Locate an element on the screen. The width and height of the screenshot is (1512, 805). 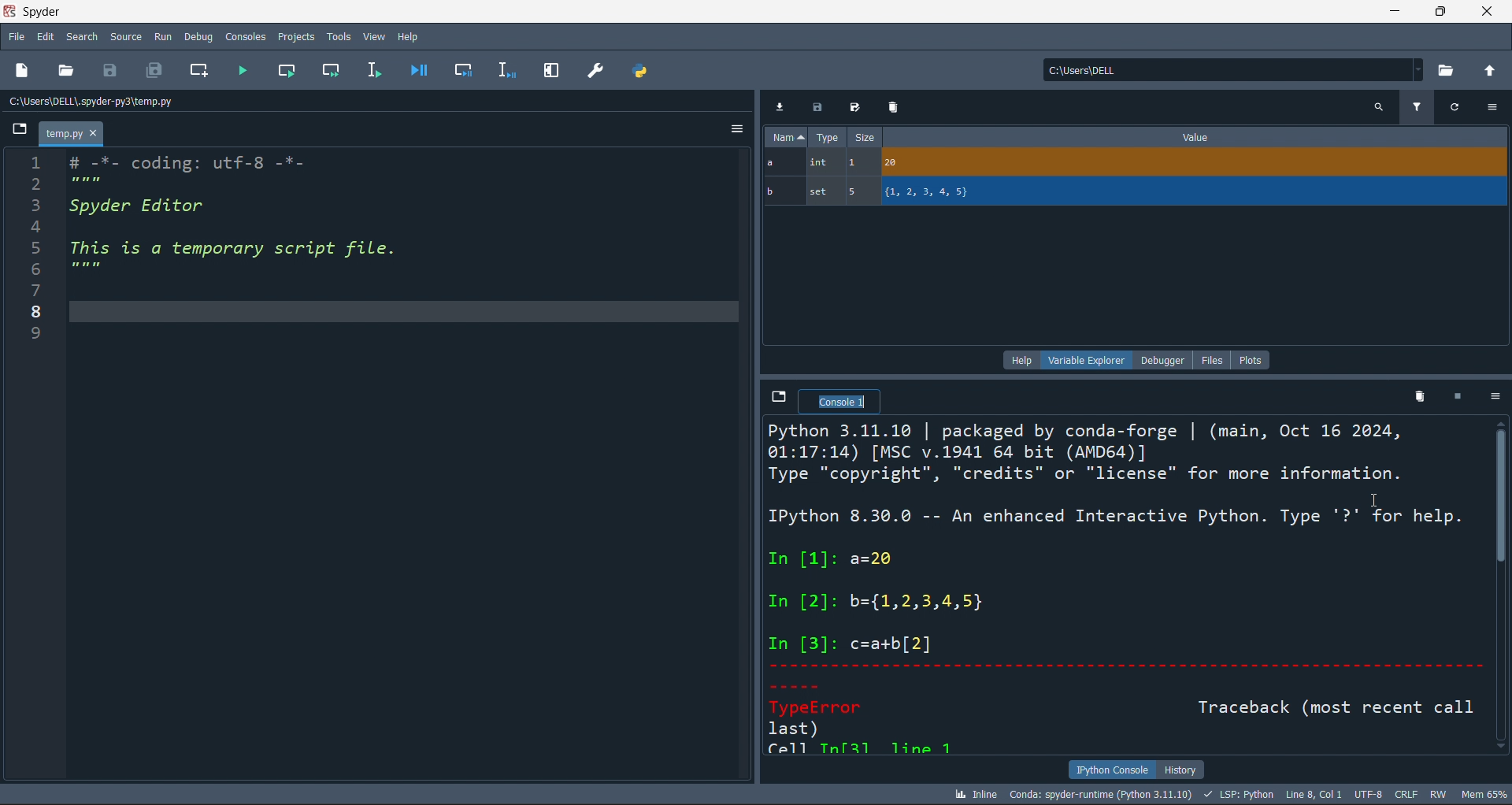
a, int, 1, 20 is located at coordinates (1132, 164).